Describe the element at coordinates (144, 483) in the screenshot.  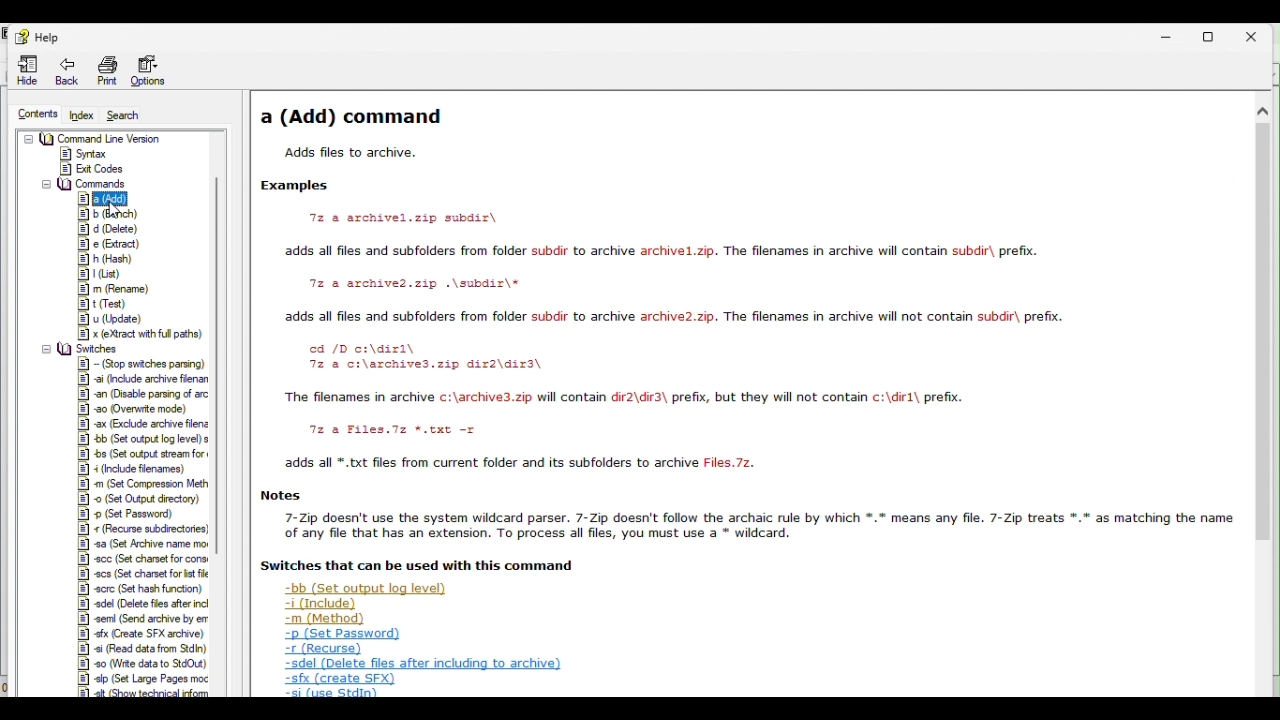
I see `-m` at that location.